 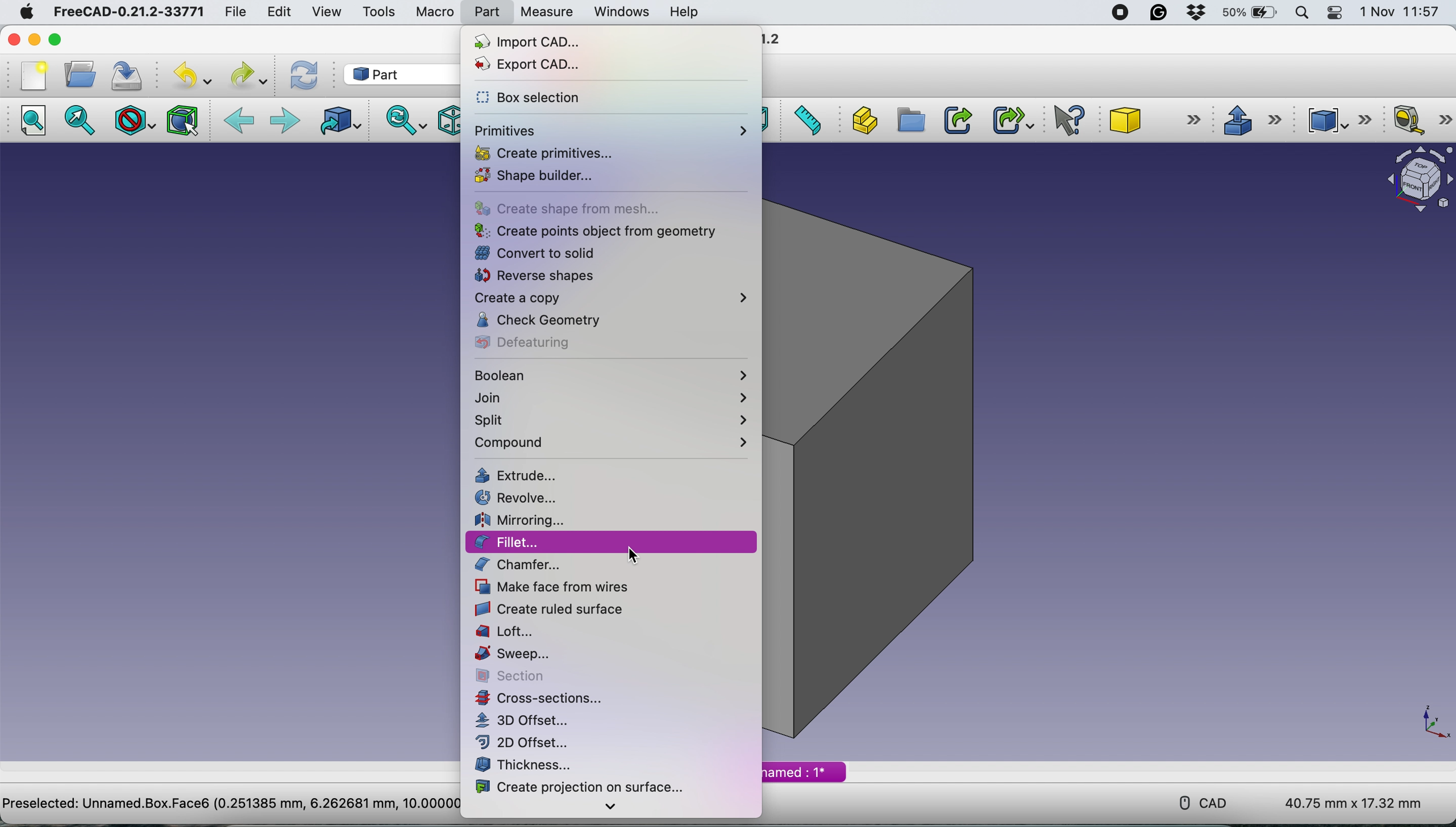 I want to click on cross sections, so click(x=550, y=698).